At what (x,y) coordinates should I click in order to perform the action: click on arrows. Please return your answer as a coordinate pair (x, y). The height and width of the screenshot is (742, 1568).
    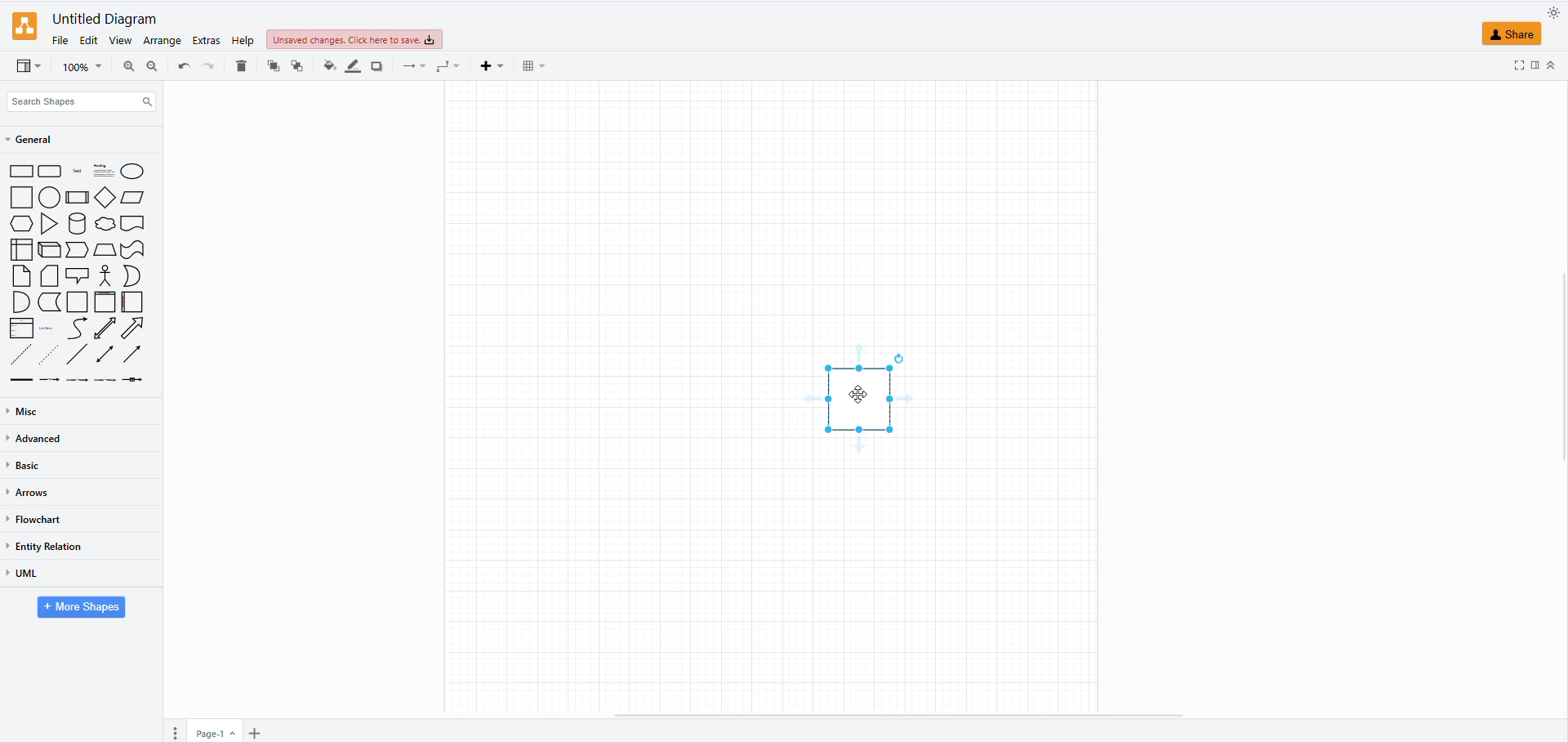
    Looking at the image, I should click on (29, 494).